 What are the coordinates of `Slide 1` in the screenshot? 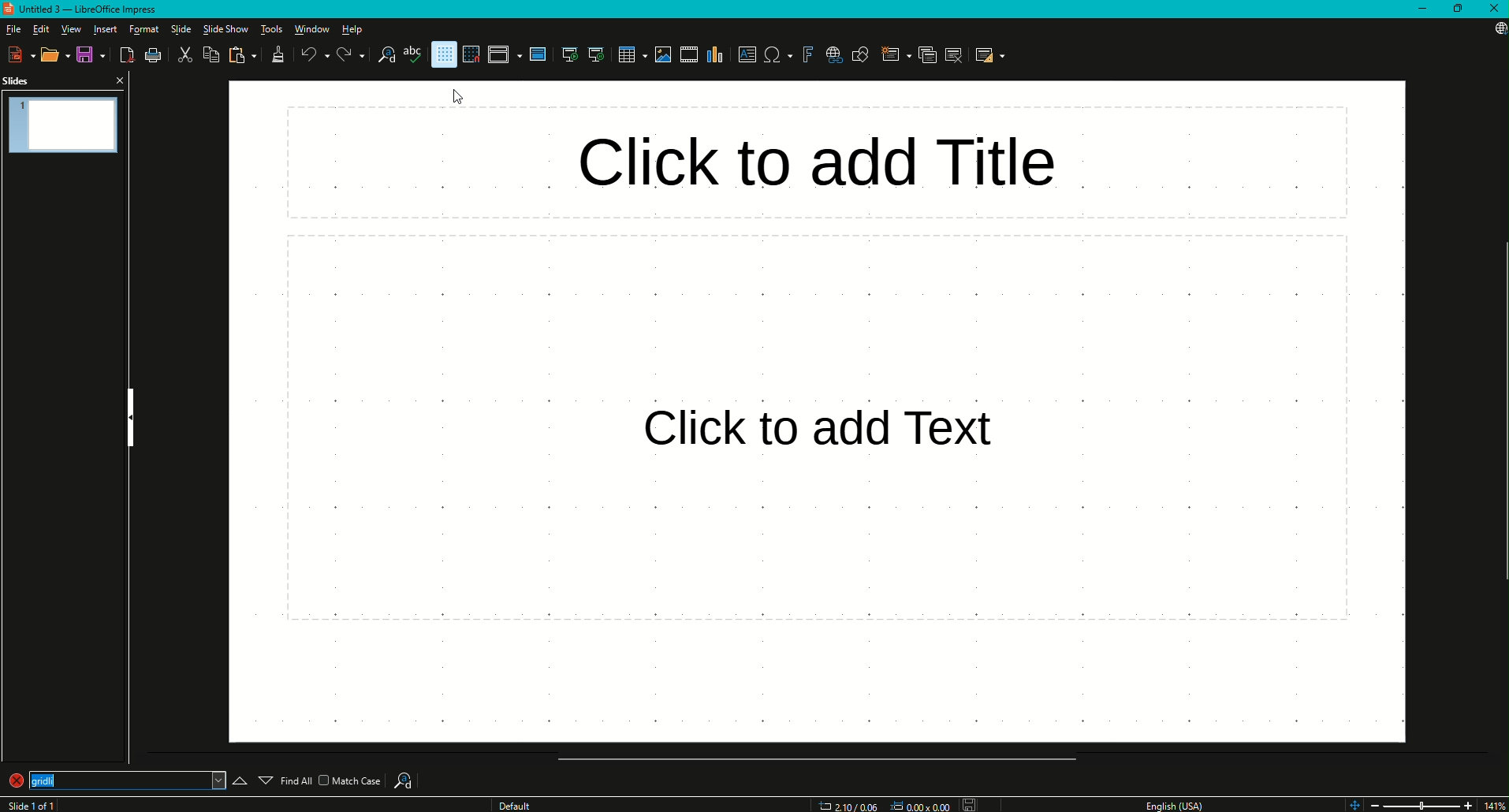 It's located at (36, 804).